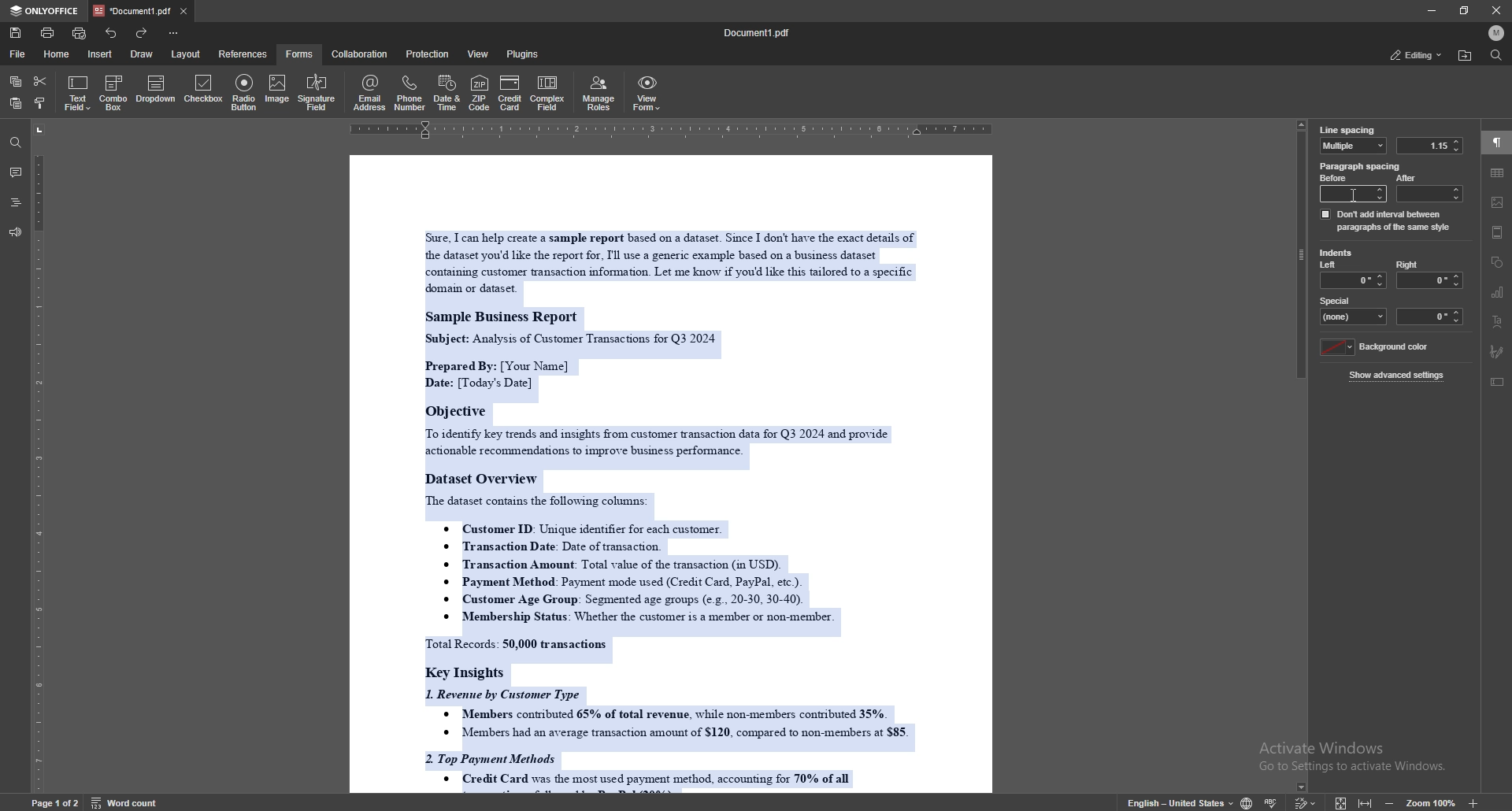 The height and width of the screenshot is (811, 1512). What do you see at coordinates (1496, 32) in the screenshot?
I see `profile` at bounding box center [1496, 32].